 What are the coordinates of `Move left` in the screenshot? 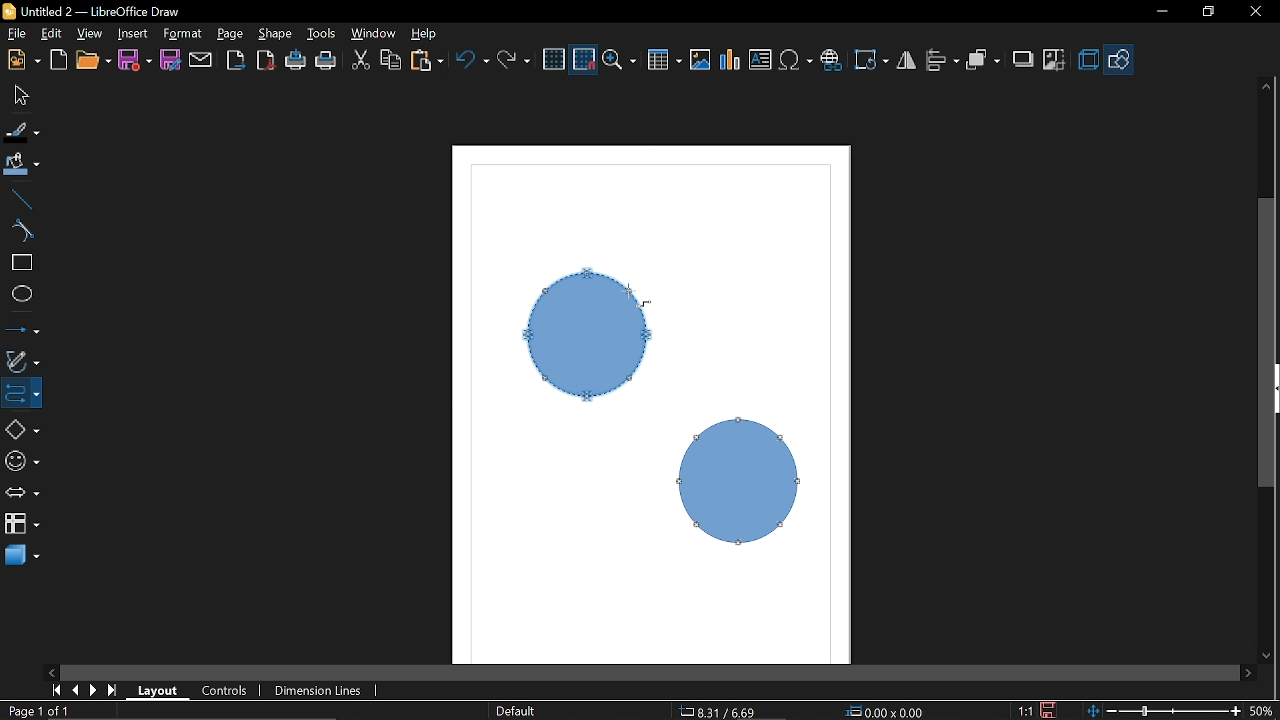 It's located at (51, 672).